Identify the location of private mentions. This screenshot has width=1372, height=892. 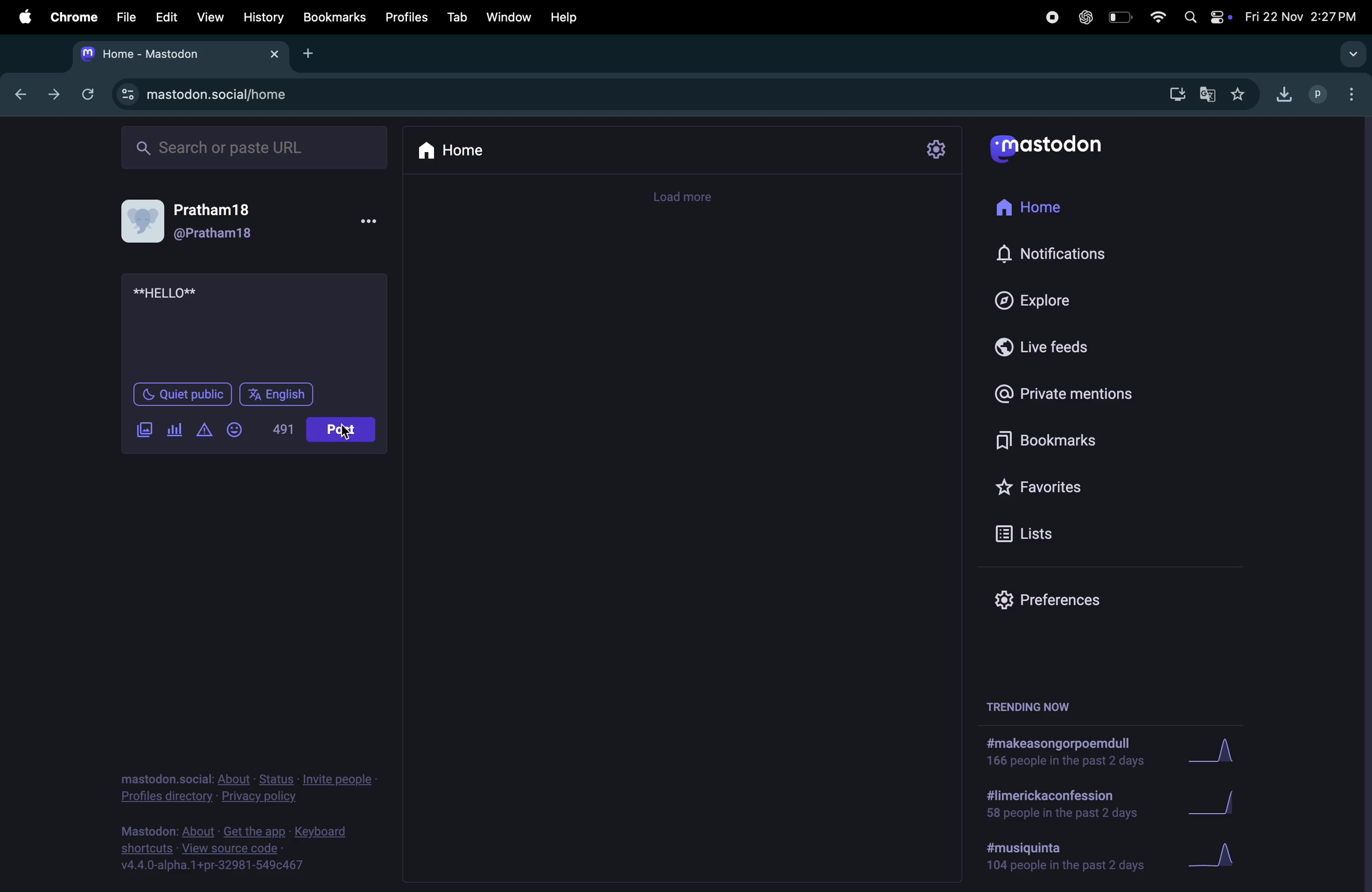
(1071, 393).